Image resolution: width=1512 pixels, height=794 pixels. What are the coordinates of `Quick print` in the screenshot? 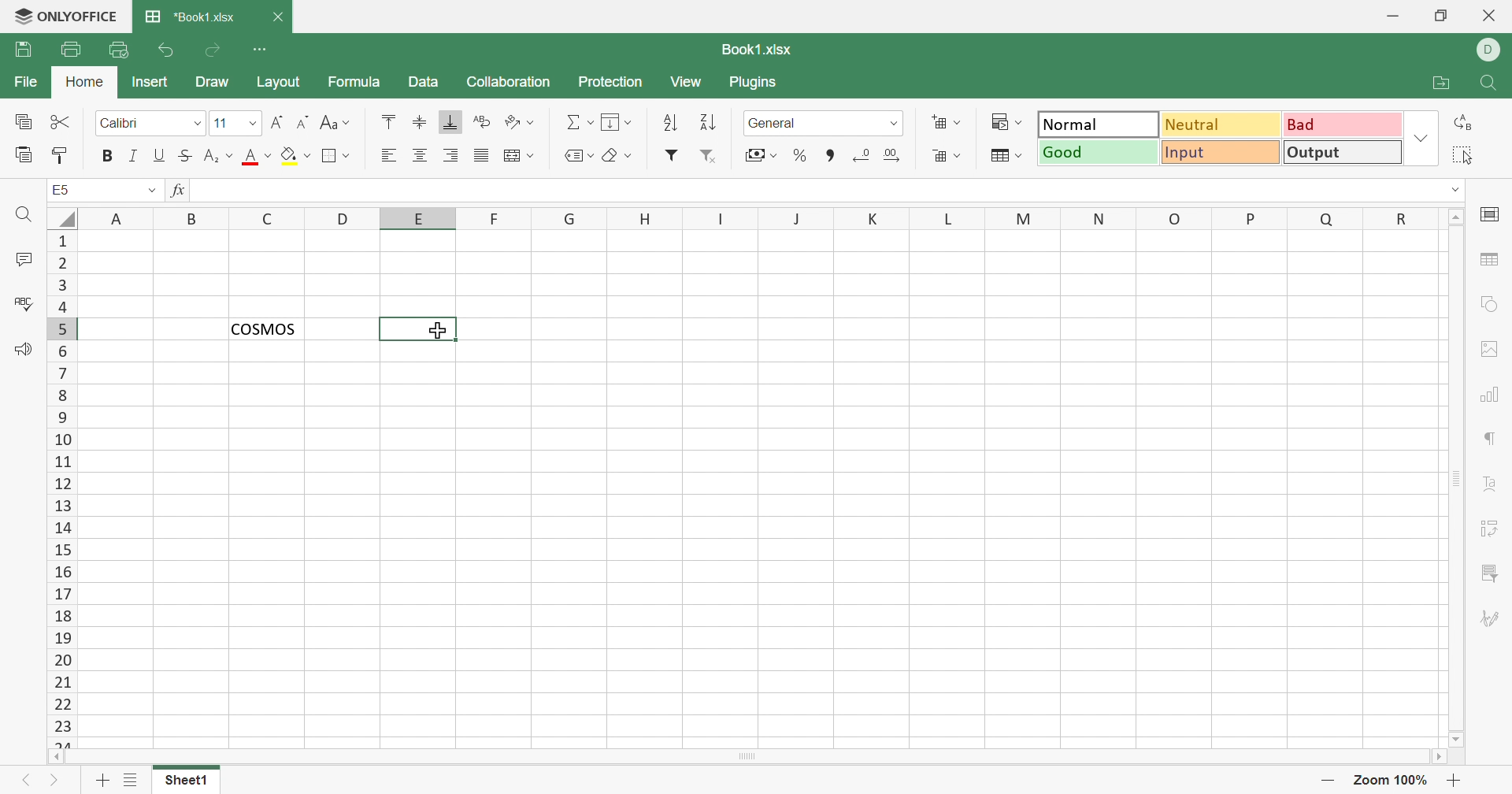 It's located at (119, 52).